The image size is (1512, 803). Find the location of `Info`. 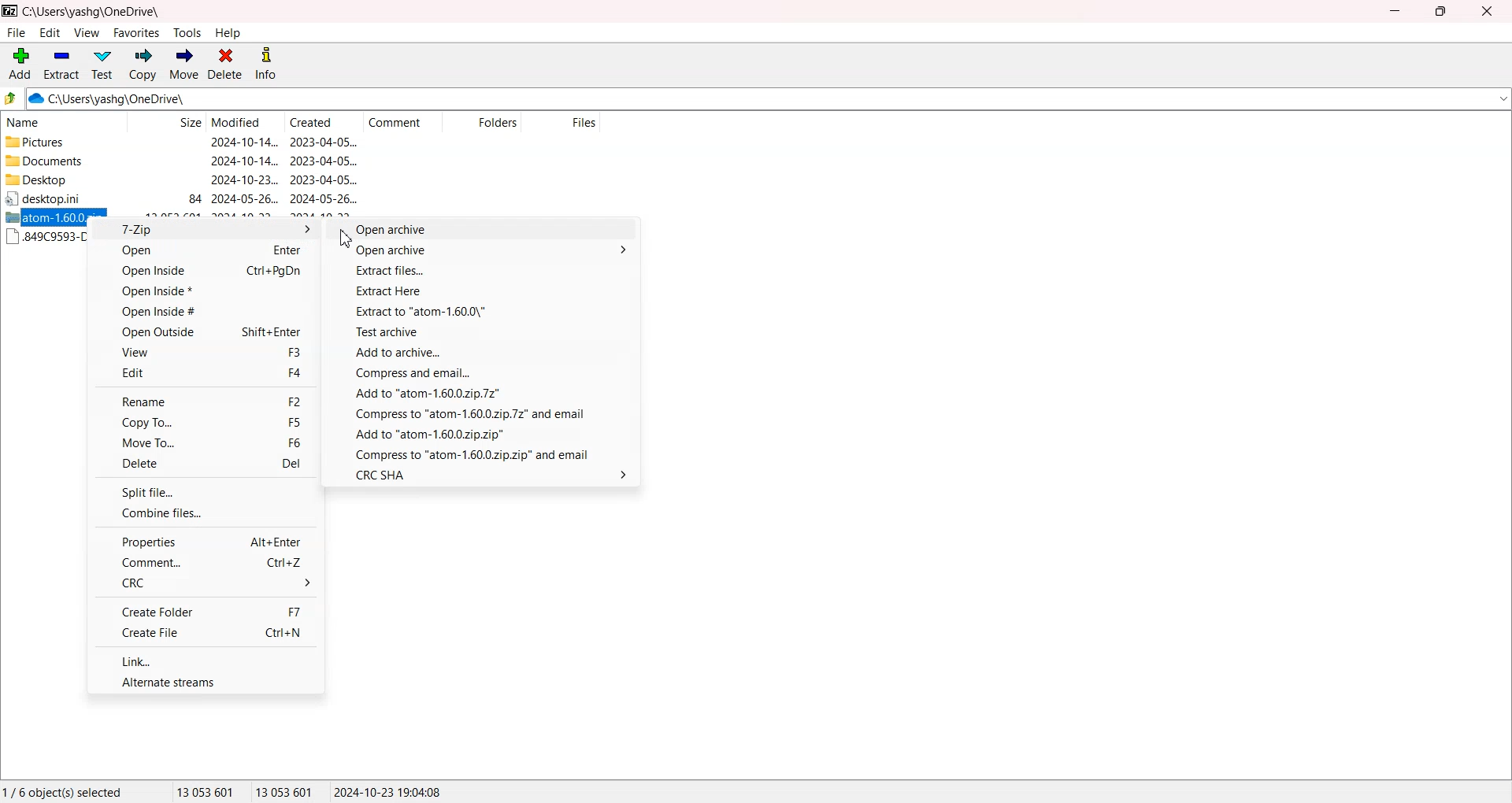

Info is located at coordinates (265, 65).